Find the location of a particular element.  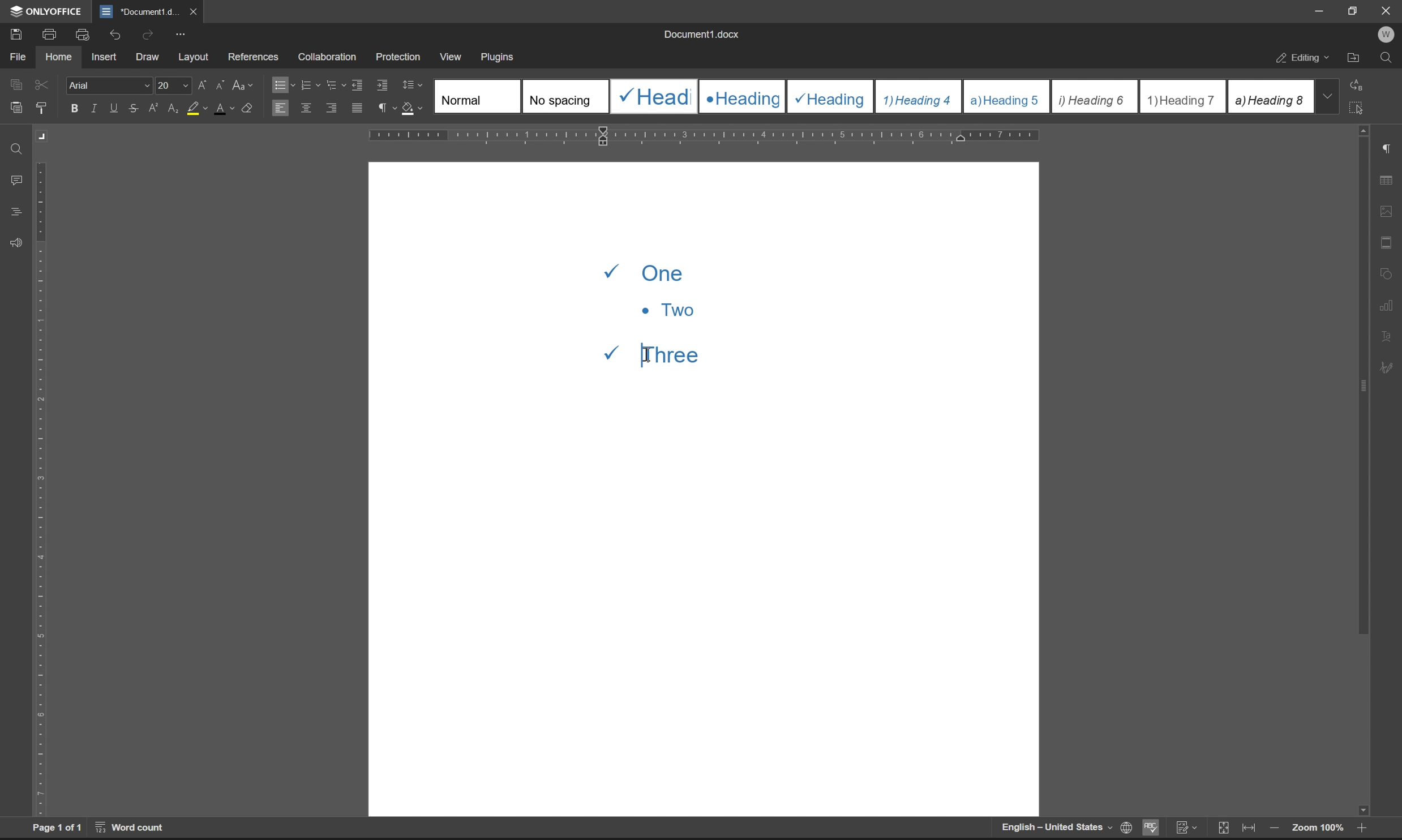

Arial is located at coordinates (108, 84).